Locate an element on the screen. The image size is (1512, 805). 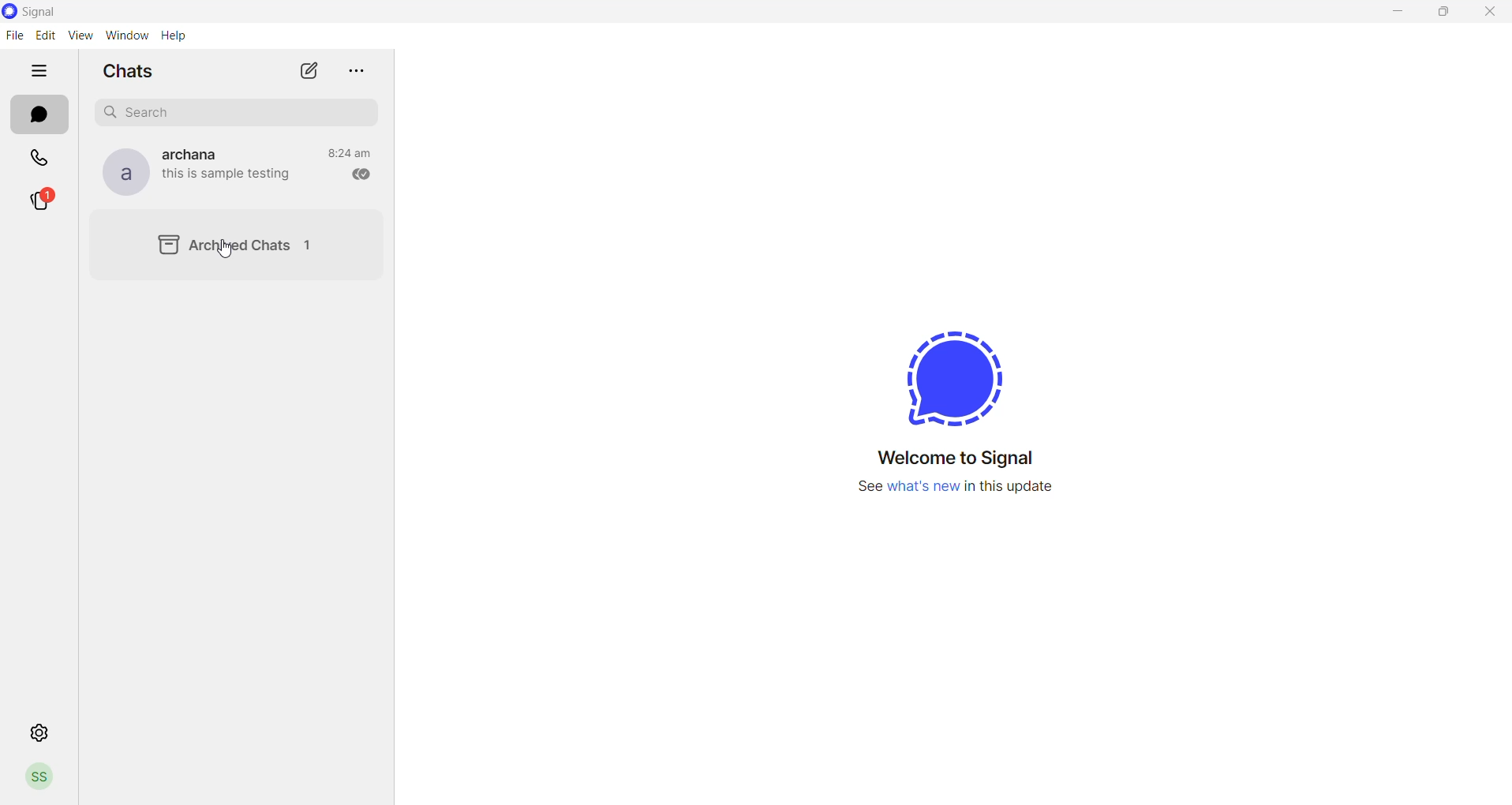
search chat is located at coordinates (232, 110).